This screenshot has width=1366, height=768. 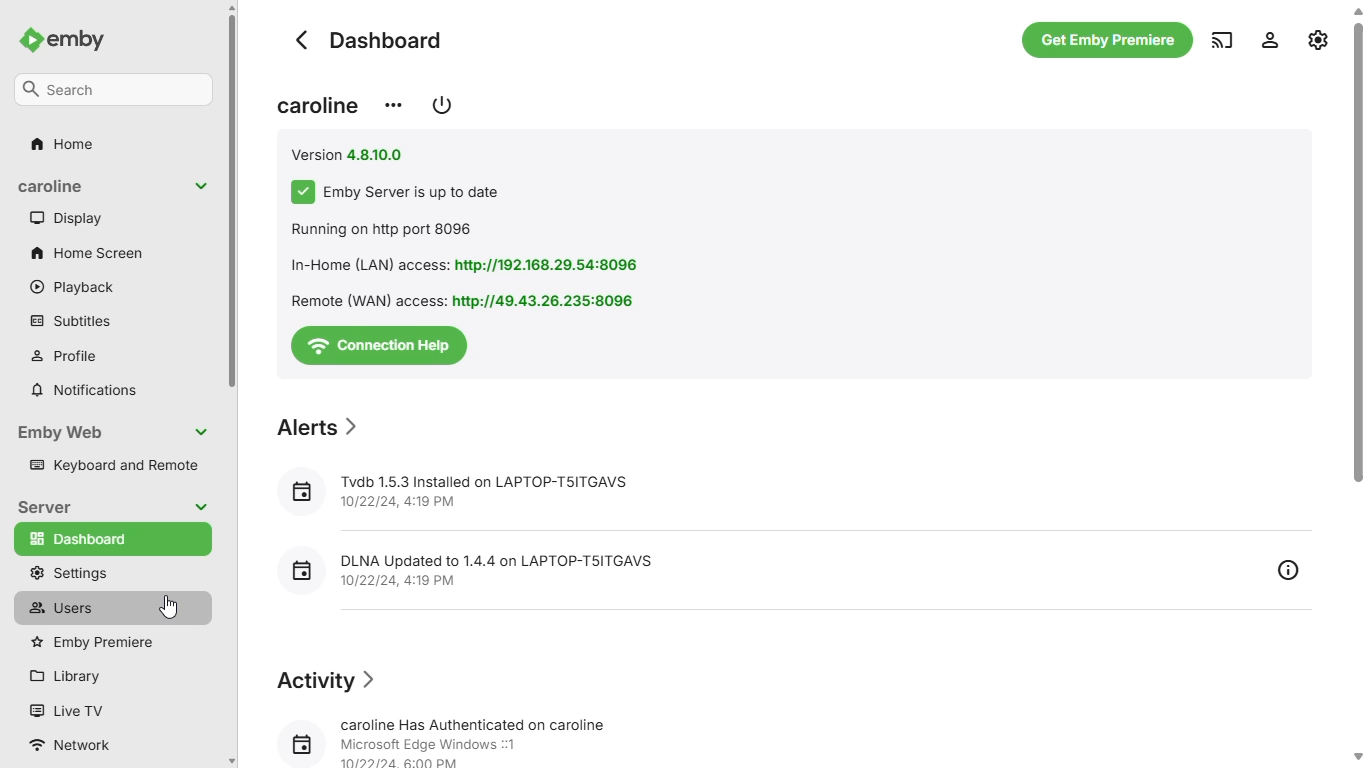 I want to click on home screen, so click(x=87, y=253).